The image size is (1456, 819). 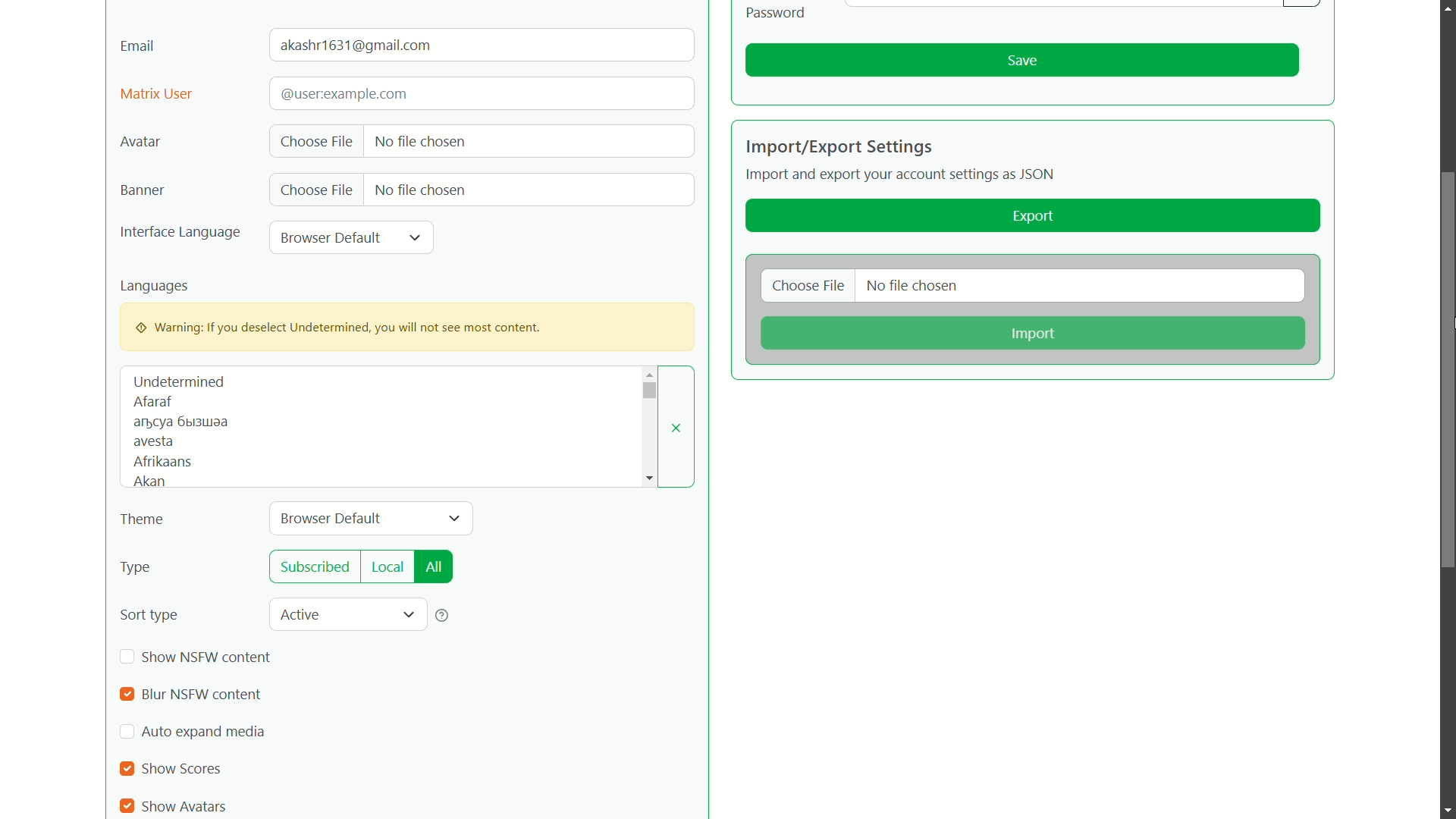 What do you see at coordinates (359, 45) in the screenshot?
I see `user mail` at bounding box center [359, 45].